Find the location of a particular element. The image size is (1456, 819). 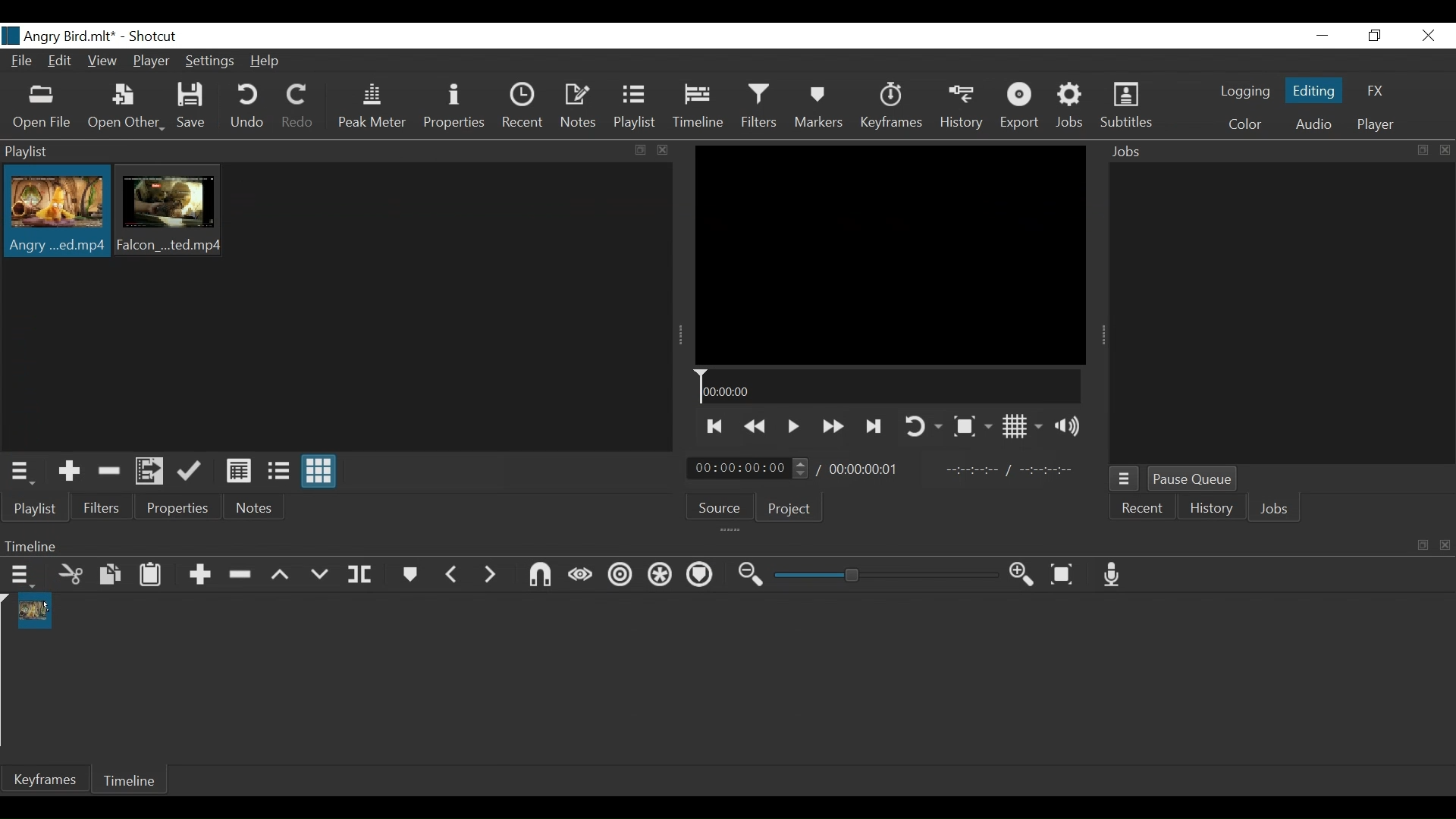

Ripple all tracks is located at coordinates (661, 577).